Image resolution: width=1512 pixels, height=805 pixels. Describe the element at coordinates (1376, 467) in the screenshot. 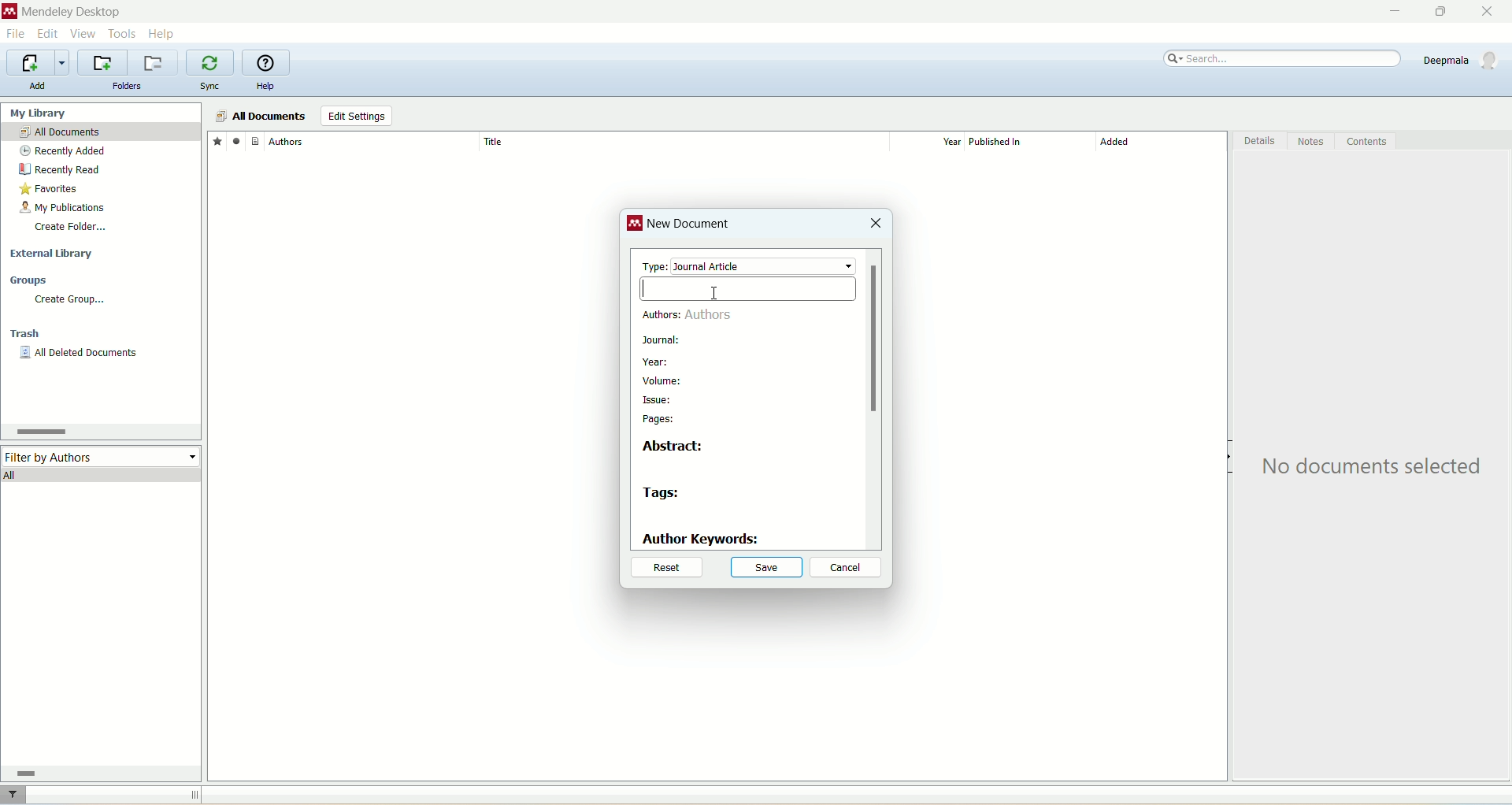

I see `text` at that location.